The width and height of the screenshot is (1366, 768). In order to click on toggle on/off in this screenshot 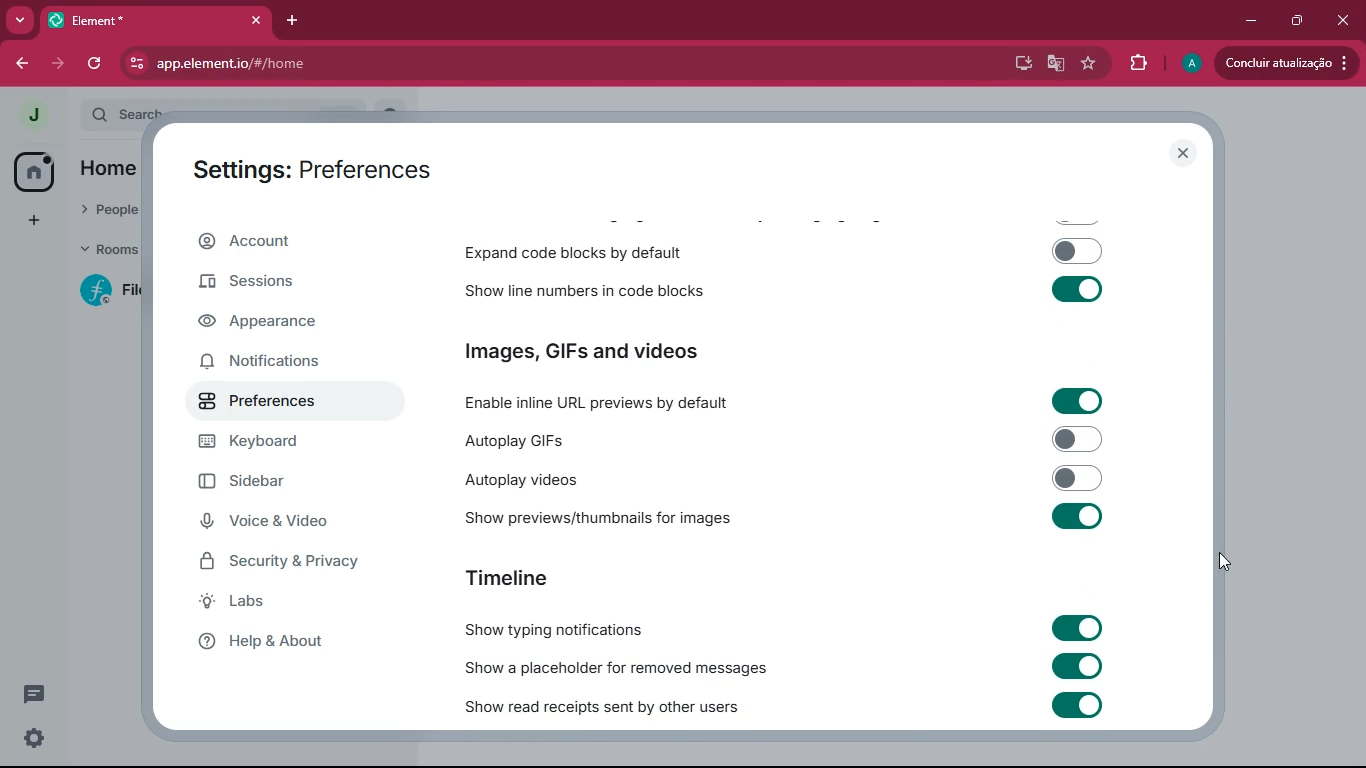, I will do `click(1078, 667)`.